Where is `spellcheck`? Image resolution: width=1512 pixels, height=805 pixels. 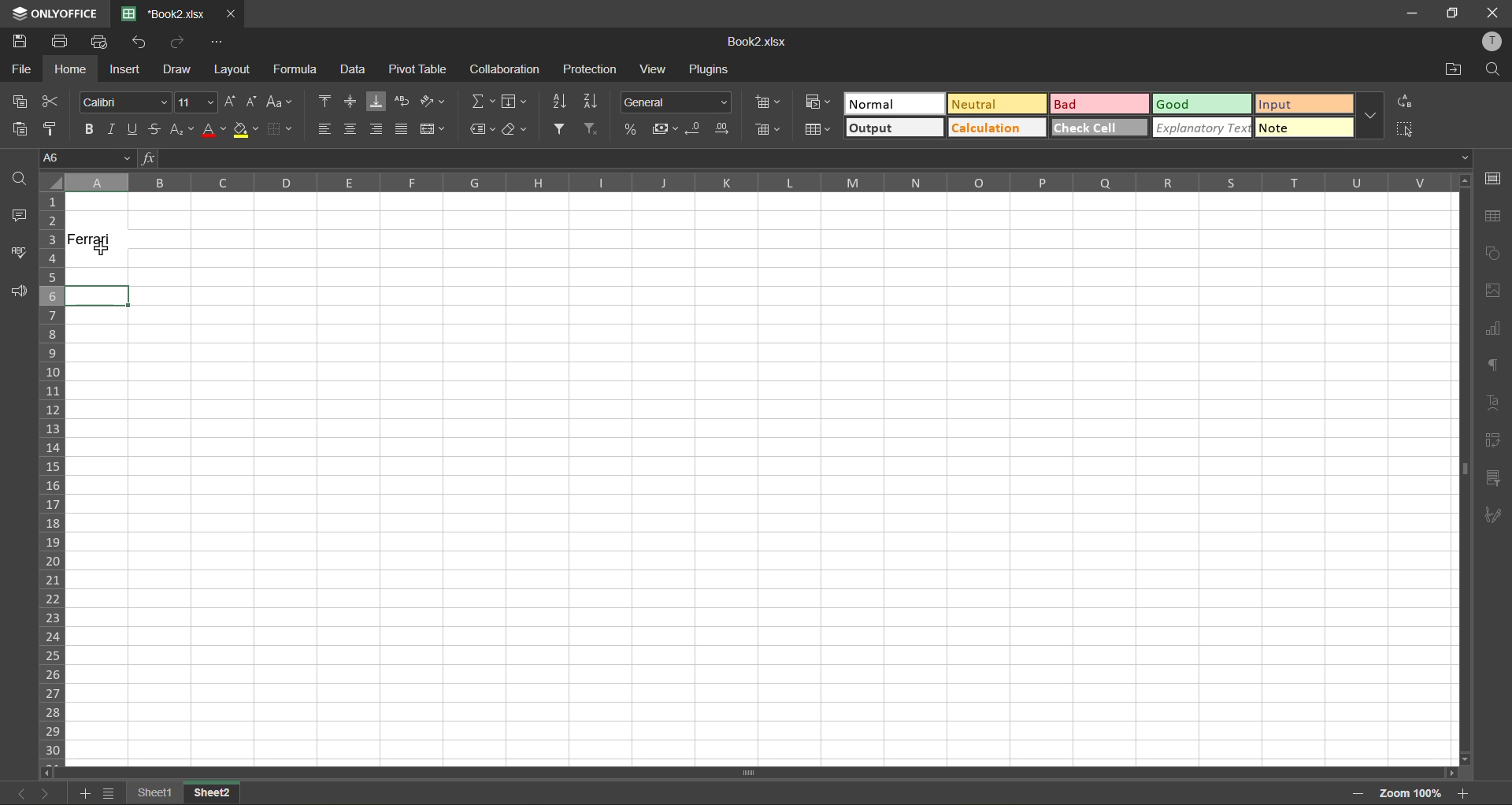
spellcheck is located at coordinates (18, 254).